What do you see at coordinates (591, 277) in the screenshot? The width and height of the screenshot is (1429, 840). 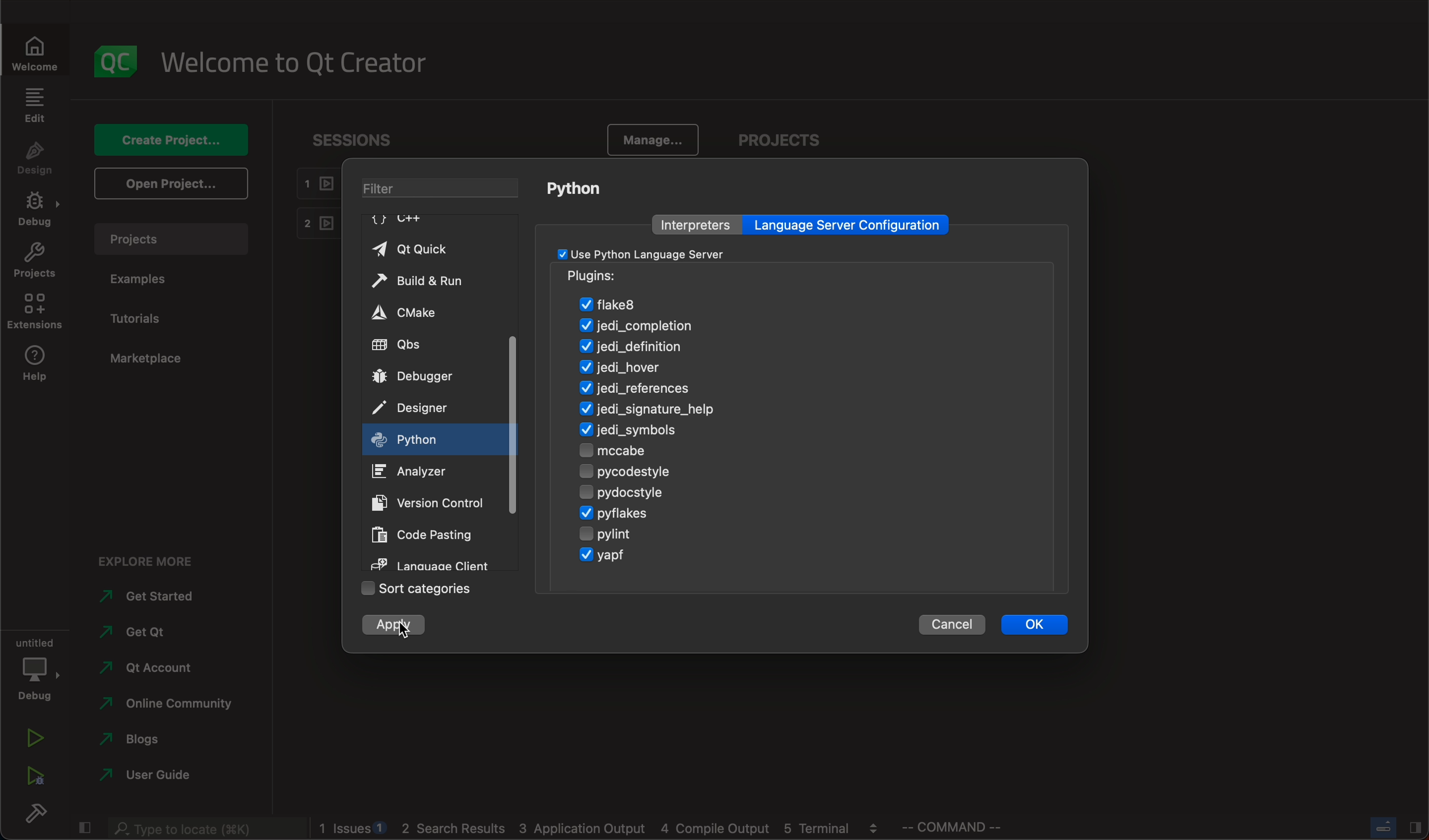 I see `pugins` at bounding box center [591, 277].